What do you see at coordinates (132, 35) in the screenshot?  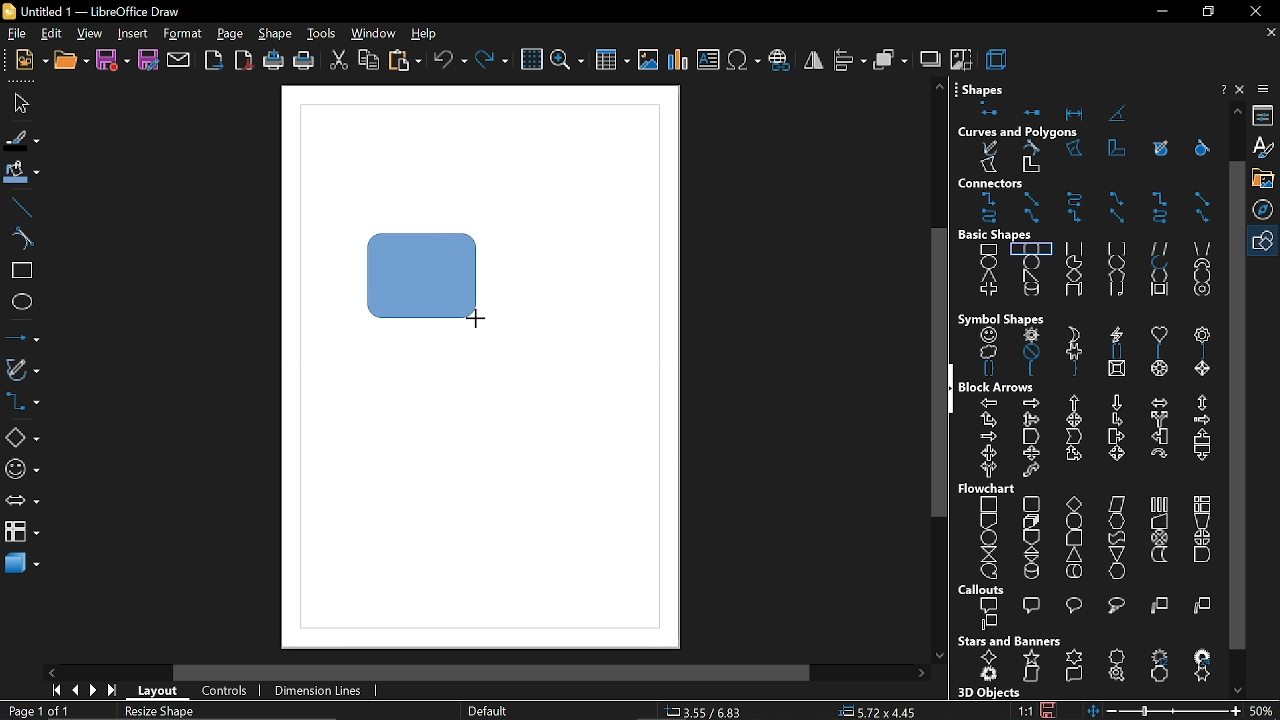 I see `insert` at bounding box center [132, 35].